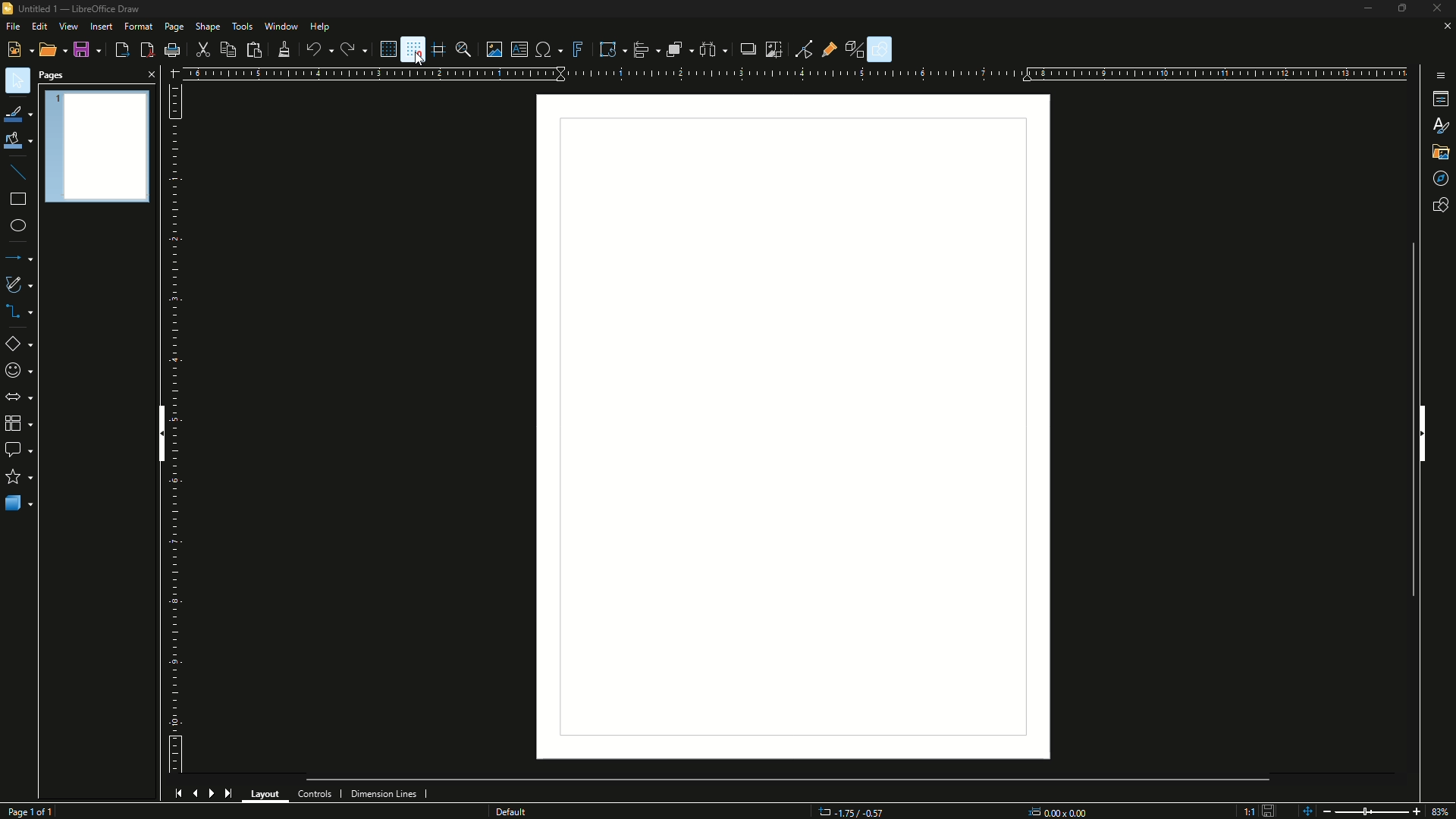 The width and height of the screenshot is (1456, 819). What do you see at coordinates (388, 792) in the screenshot?
I see `Dimension Lines` at bounding box center [388, 792].